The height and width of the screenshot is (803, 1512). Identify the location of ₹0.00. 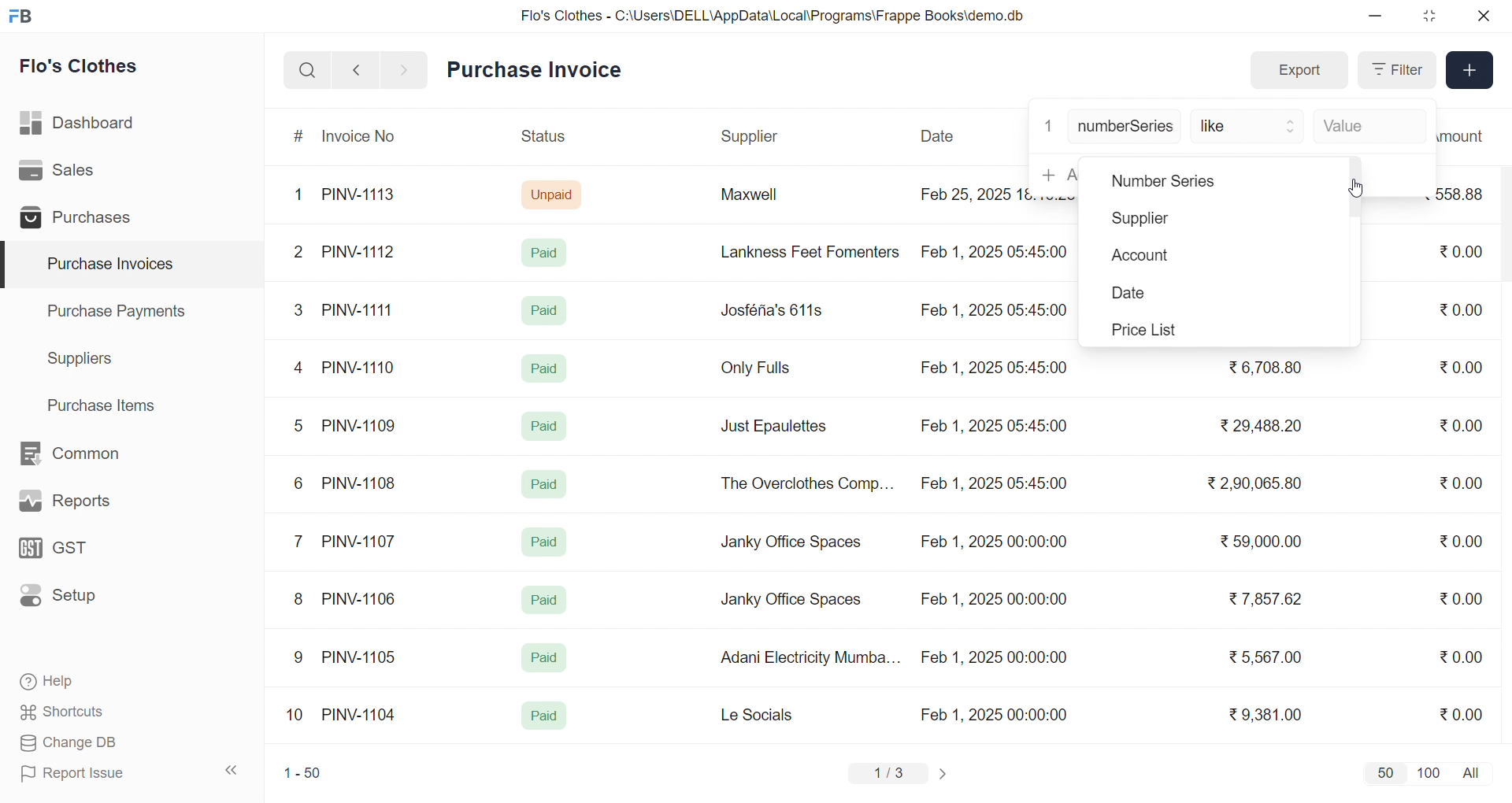
(1461, 598).